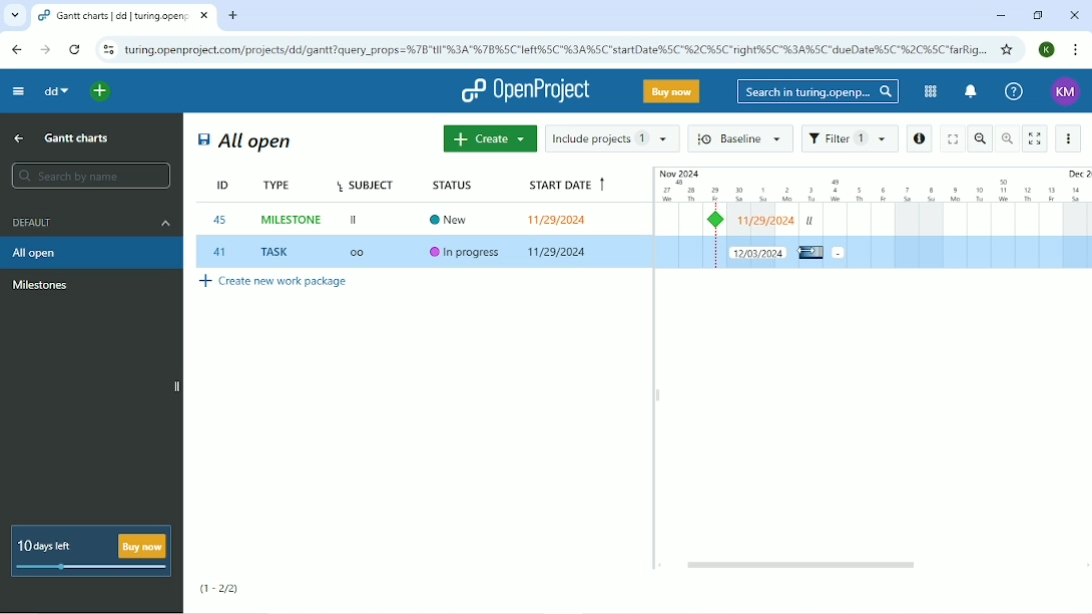 This screenshot has width=1092, height=614. Describe the element at coordinates (561, 219) in the screenshot. I see `11/29/2024` at that location.